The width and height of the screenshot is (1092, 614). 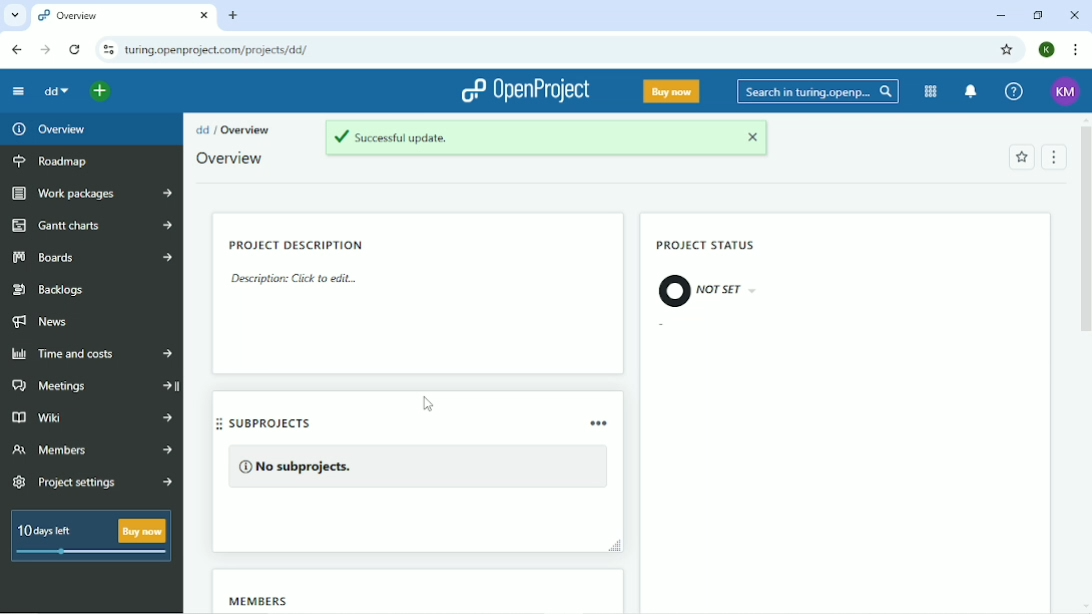 What do you see at coordinates (92, 419) in the screenshot?
I see `Wiki` at bounding box center [92, 419].